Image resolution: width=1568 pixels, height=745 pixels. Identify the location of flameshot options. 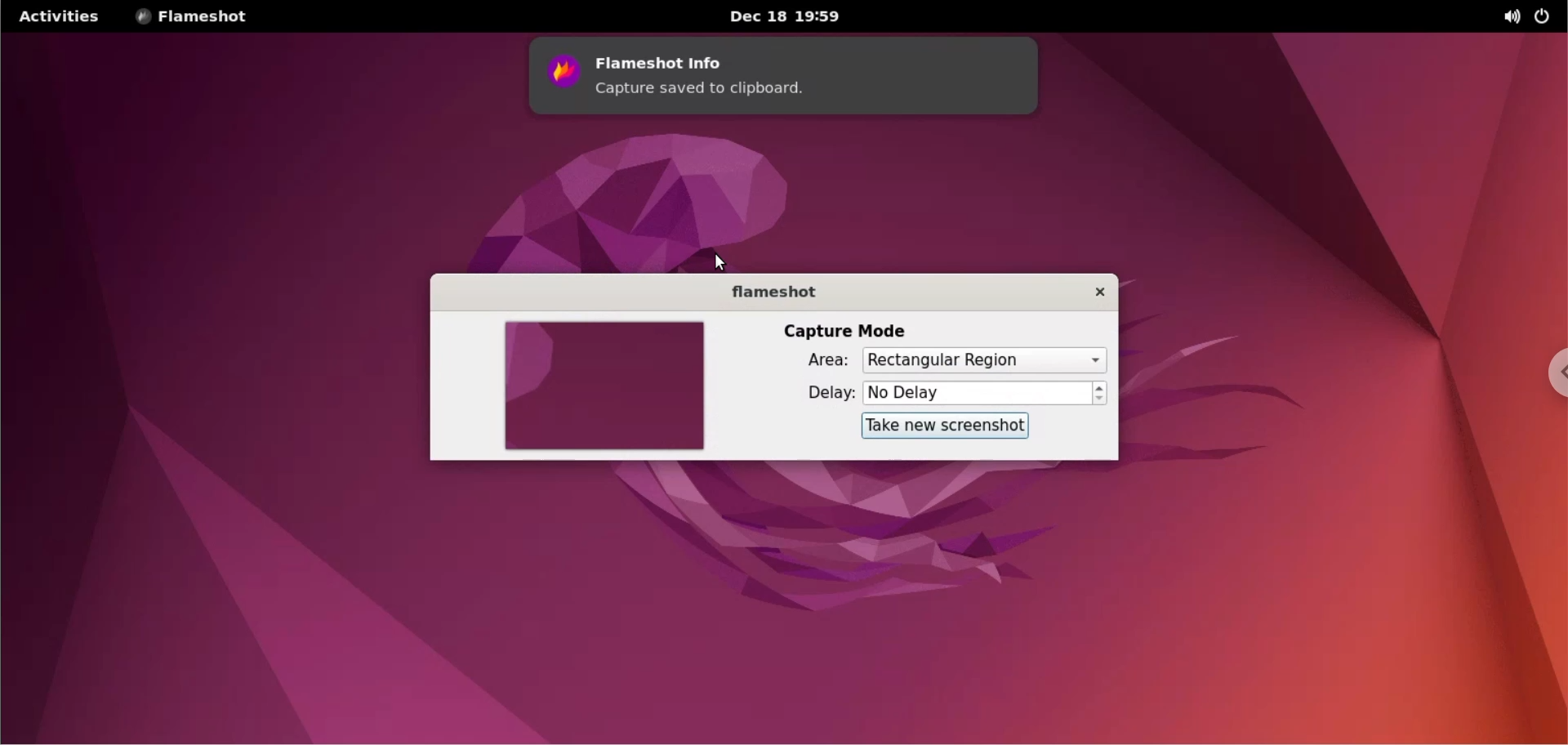
(194, 16).